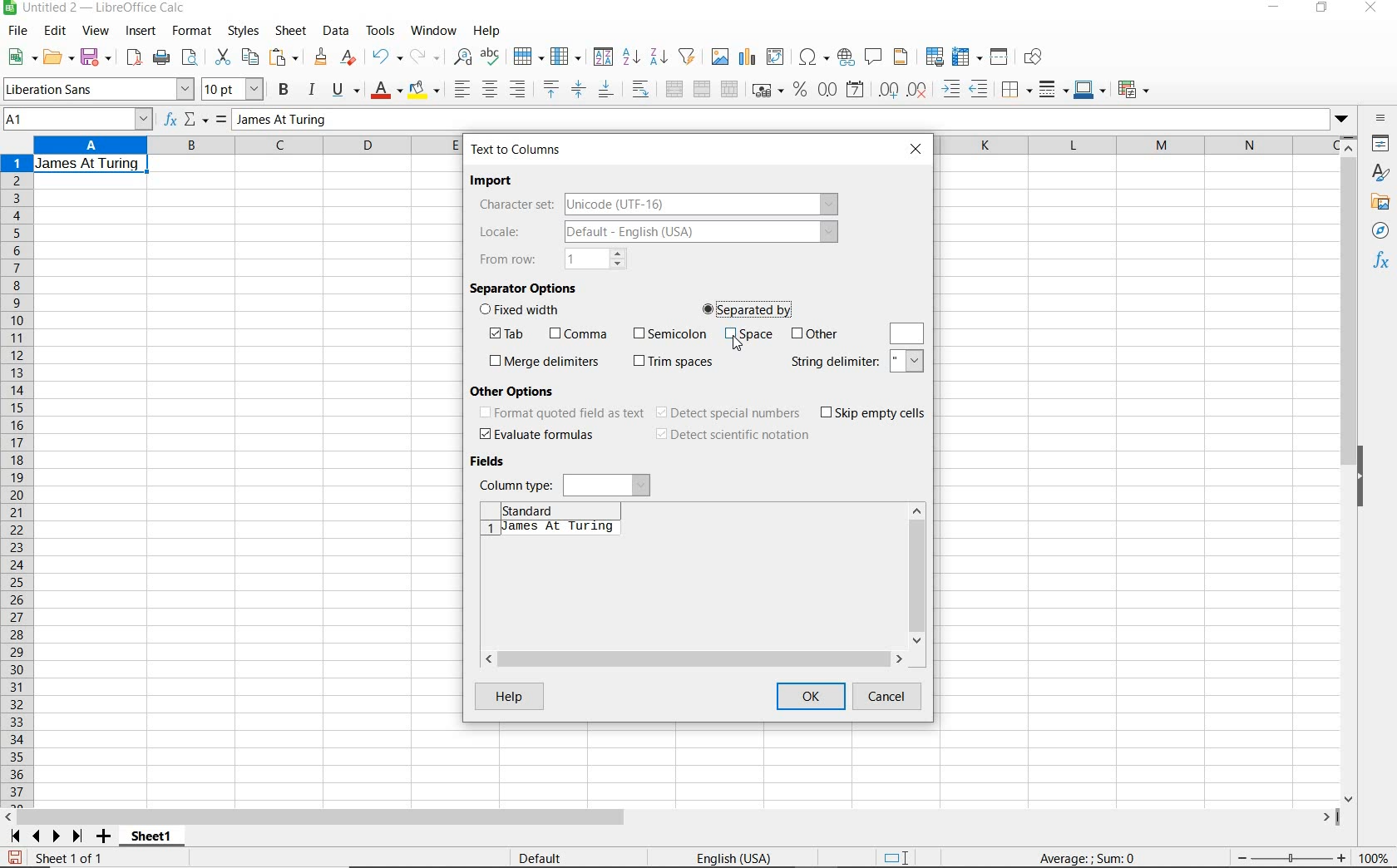 The height and width of the screenshot is (868, 1397). Describe the element at coordinates (386, 57) in the screenshot. I see `undo` at that location.